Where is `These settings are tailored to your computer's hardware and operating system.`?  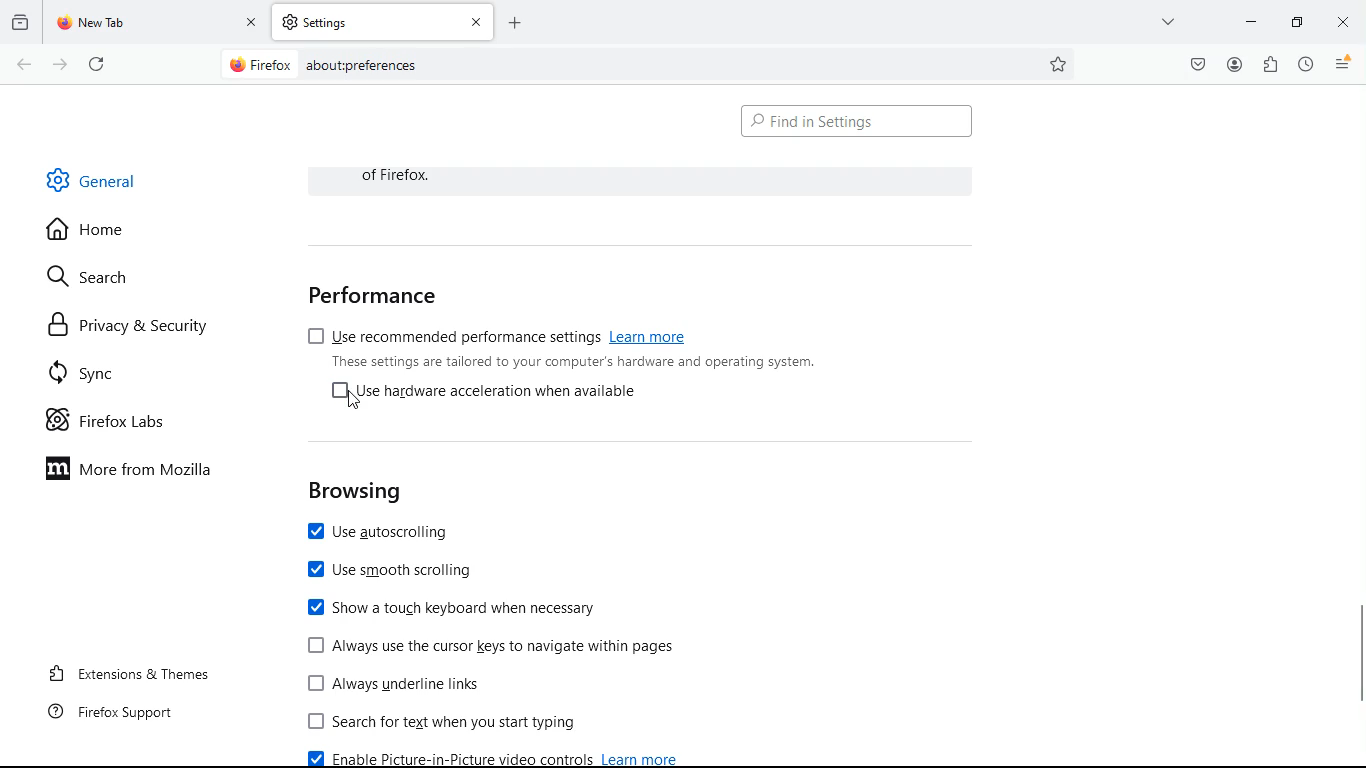 These settings are tailored to your computer's hardware and operating system. is located at coordinates (575, 363).